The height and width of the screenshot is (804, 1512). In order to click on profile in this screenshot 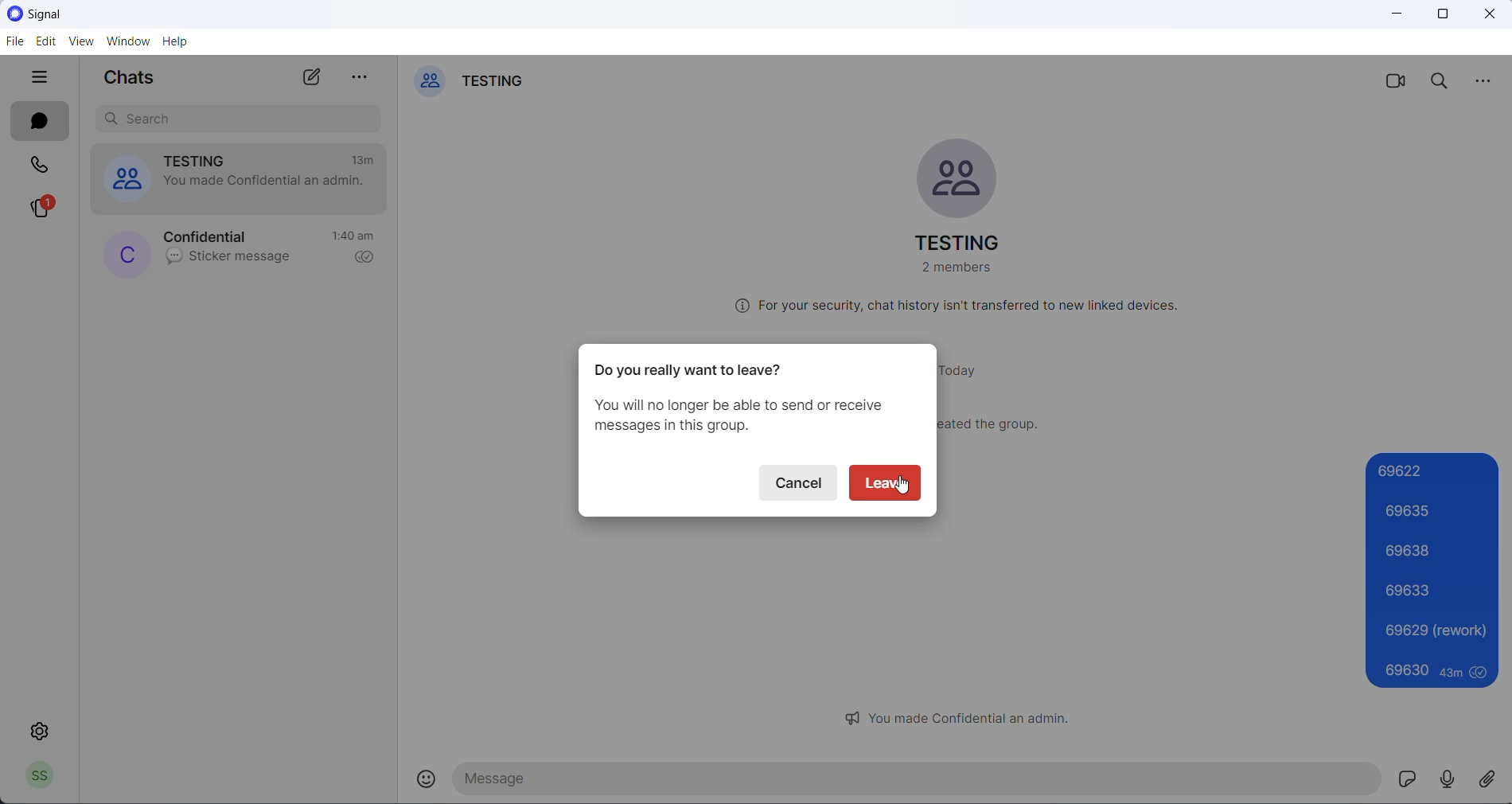, I will do `click(45, 775)`.